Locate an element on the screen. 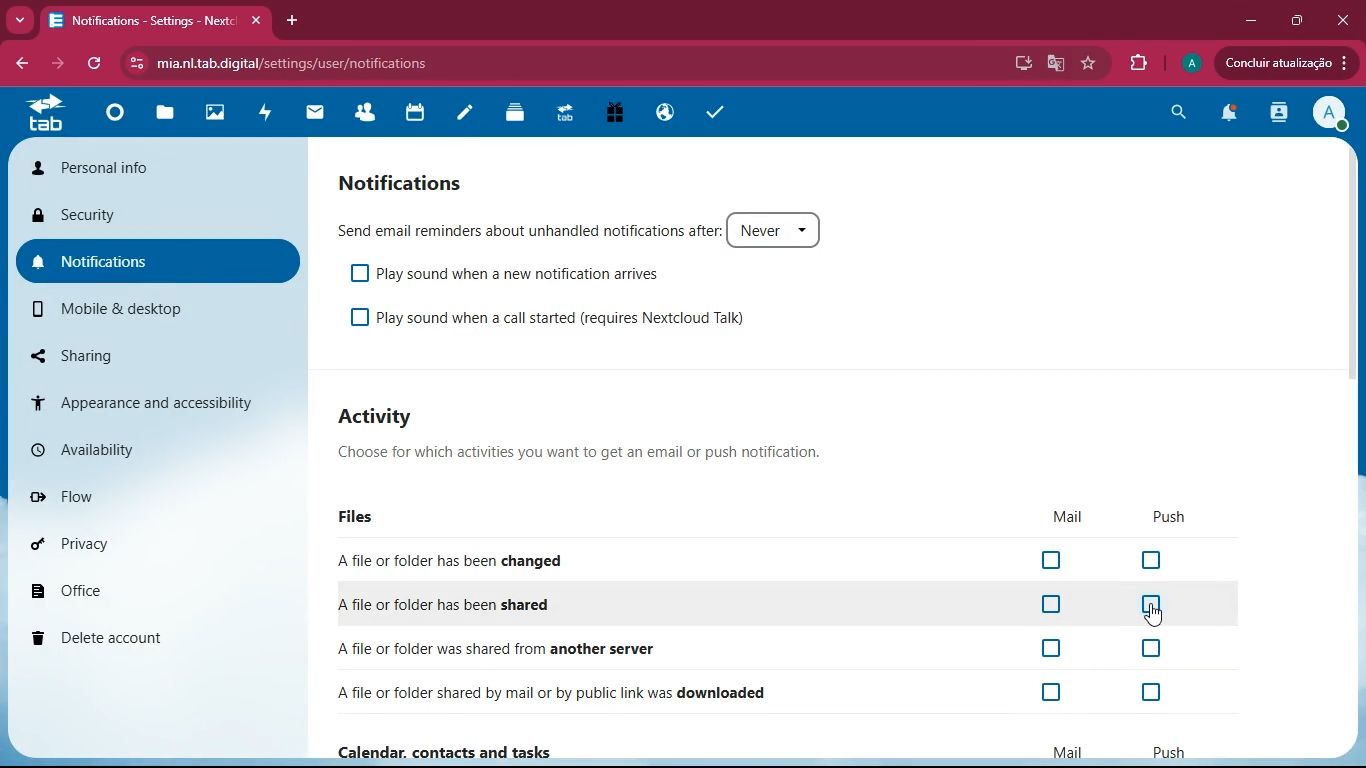  back is located at coordinates (25, 63).